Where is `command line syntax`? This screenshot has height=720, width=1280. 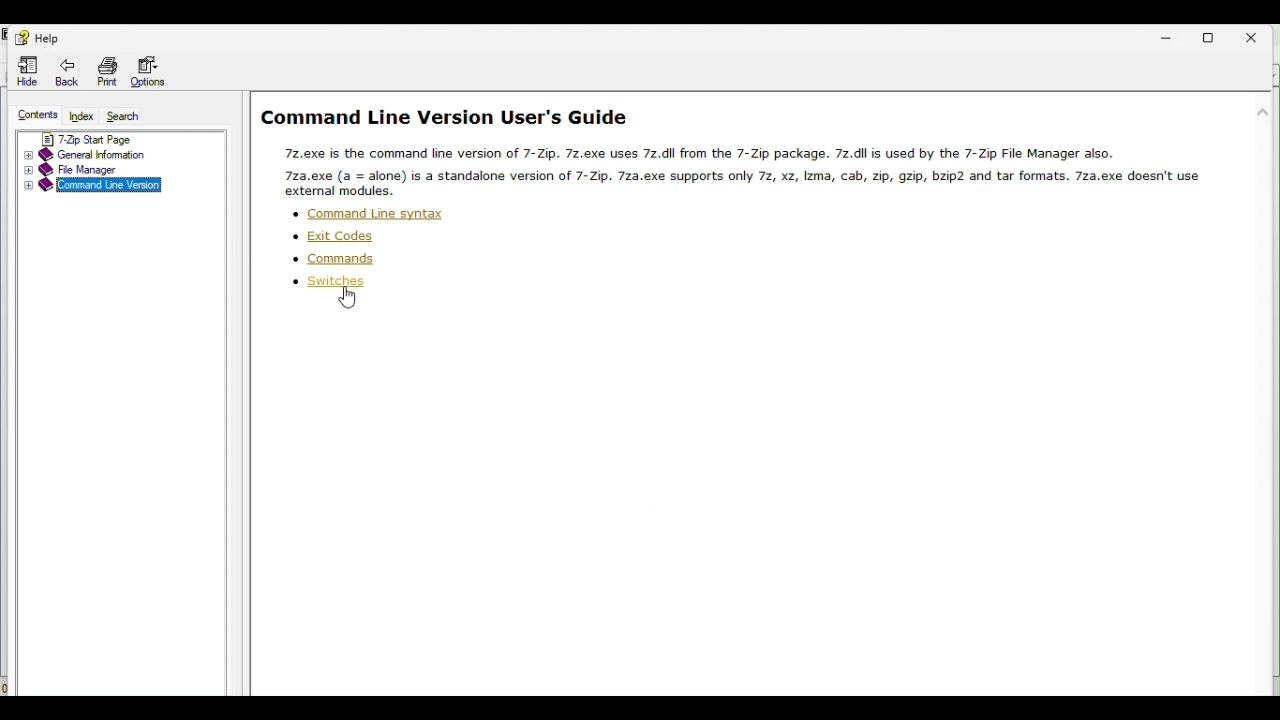 command line syntax is located at coordinates (367, 216).